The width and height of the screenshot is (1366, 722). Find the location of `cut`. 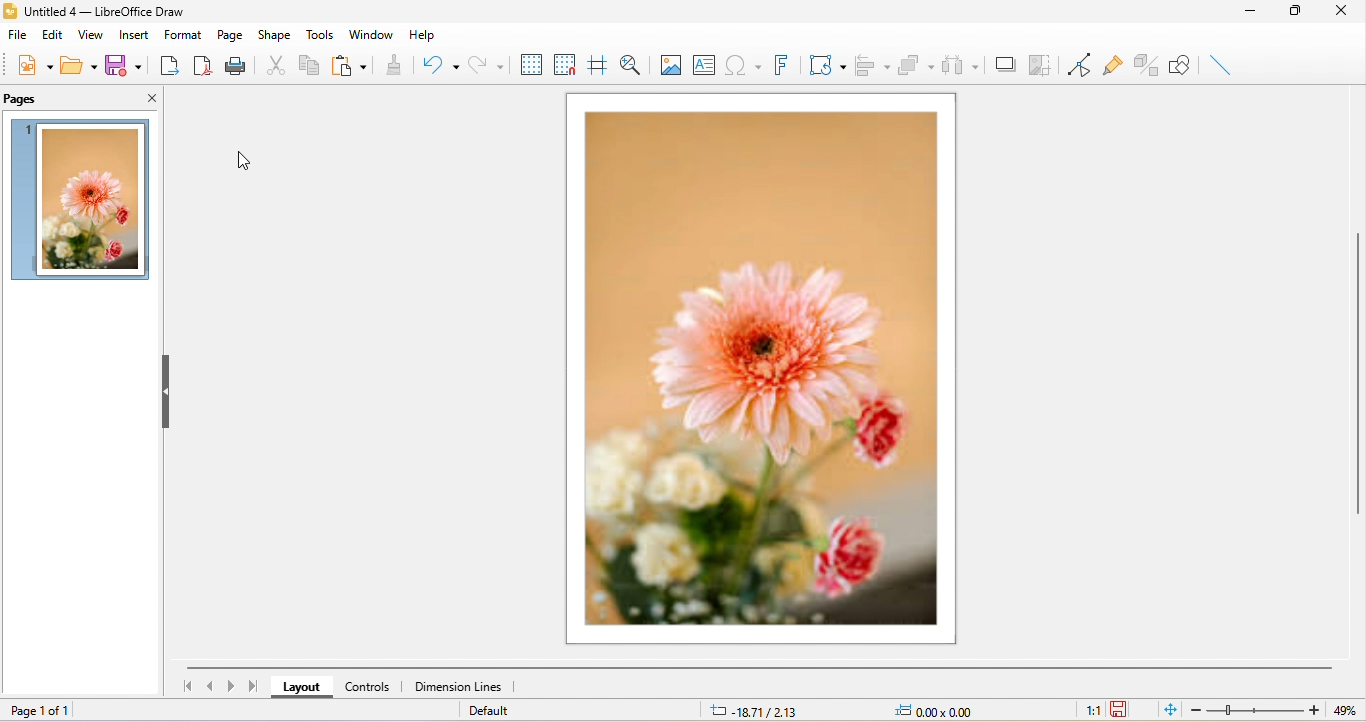

cut is located at coordinates (274, 63).